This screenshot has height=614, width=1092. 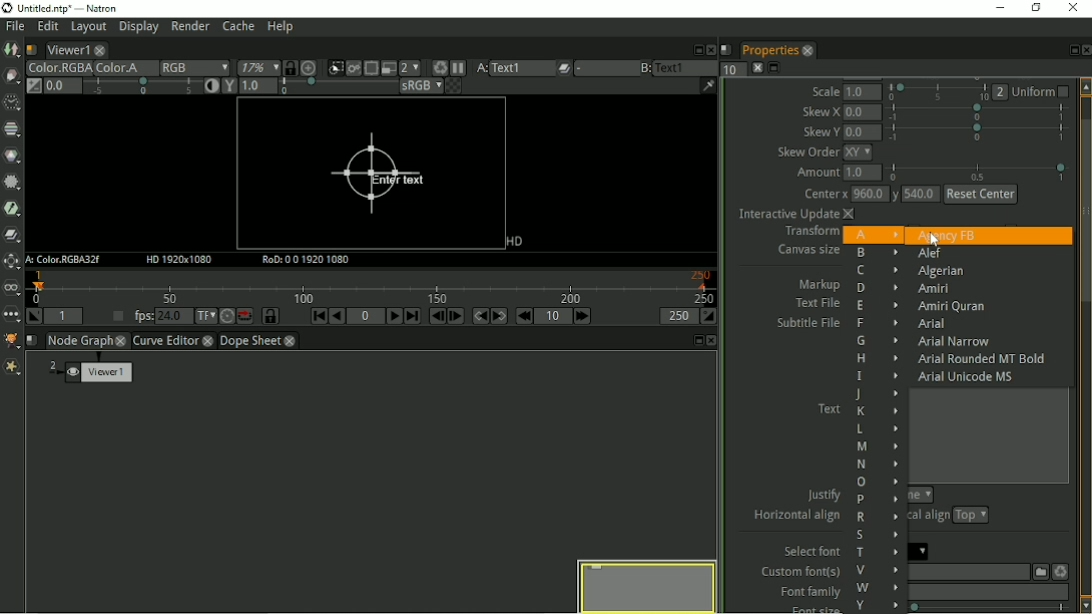 I want to click on Behaviour, so click(x=245, y=316).